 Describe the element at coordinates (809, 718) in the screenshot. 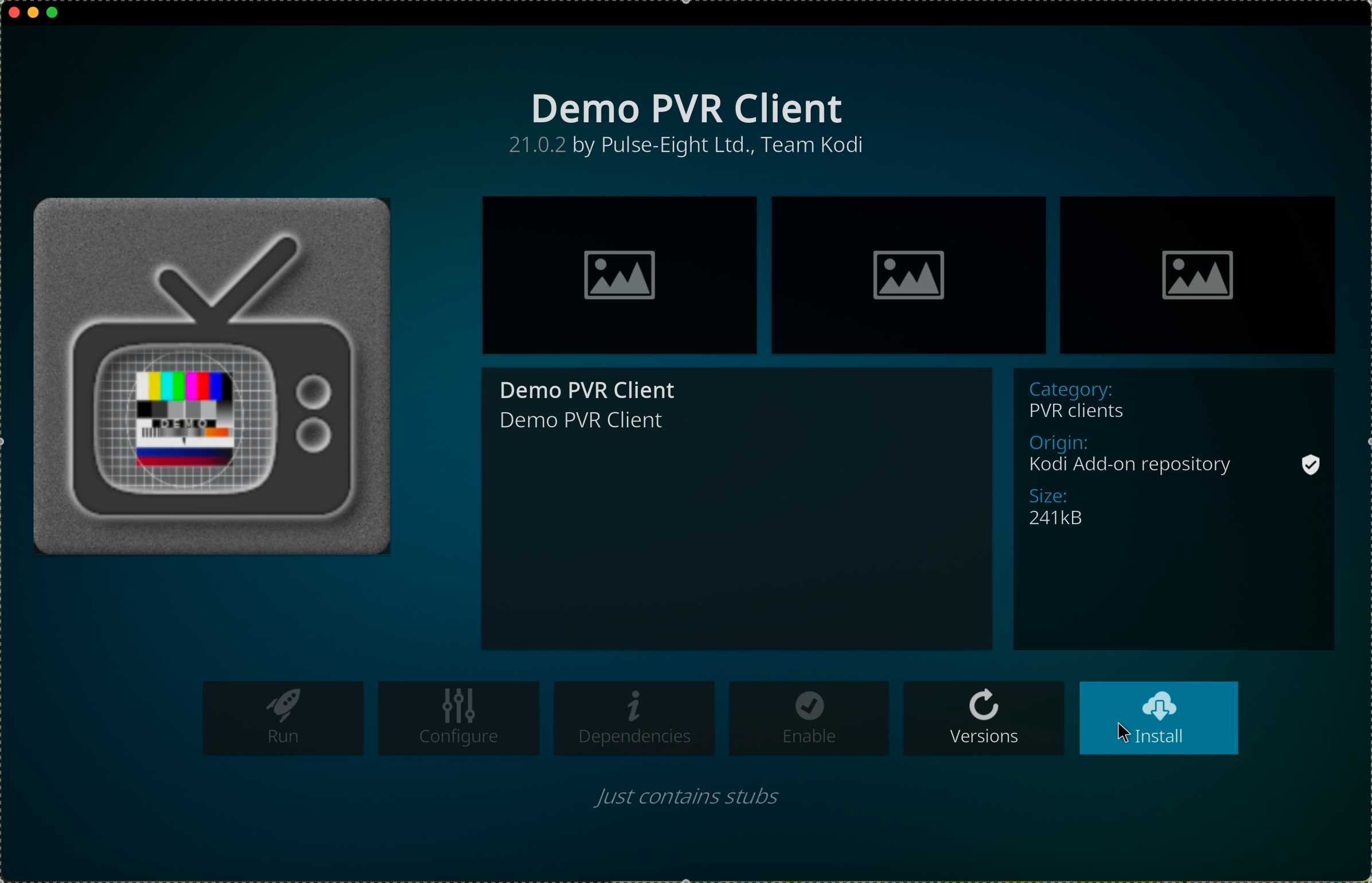

I see `enable` at that location.